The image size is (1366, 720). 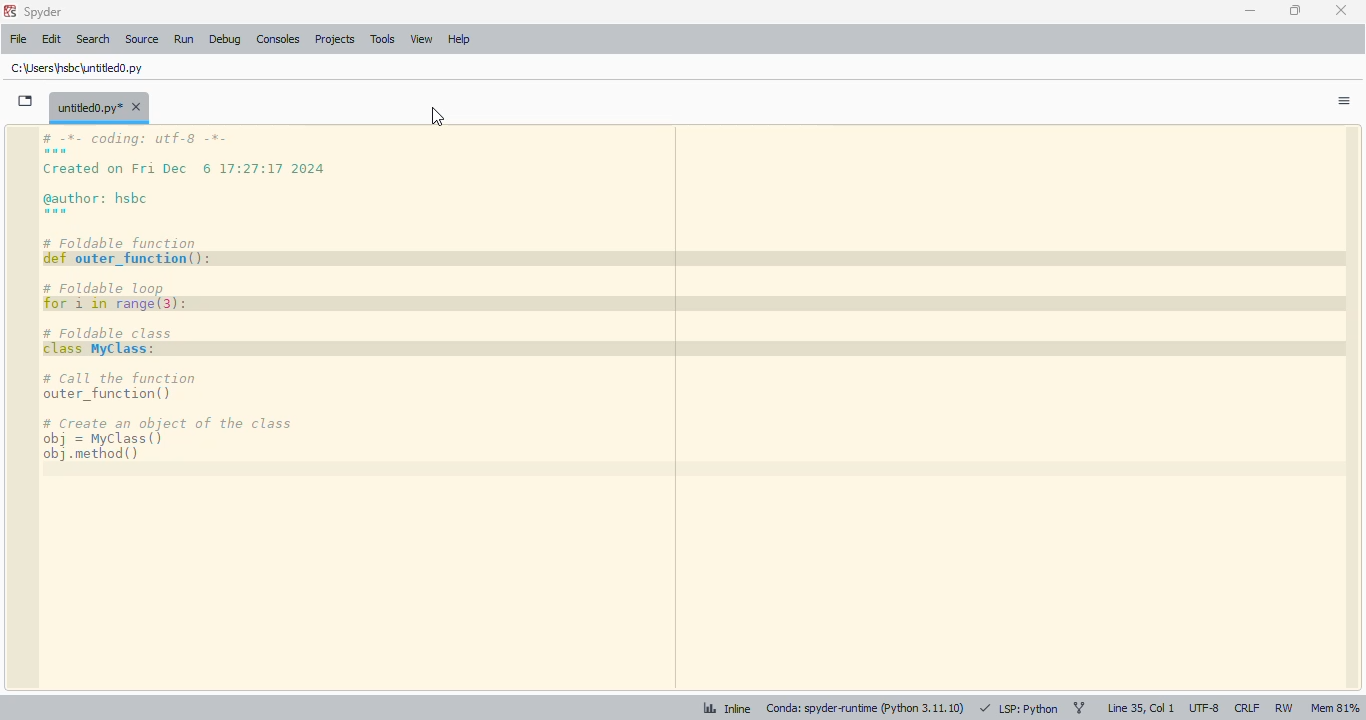 What do you see at coordinates (18, 39) in the screenshot?
I see `file` at bounding box center [18, 39].